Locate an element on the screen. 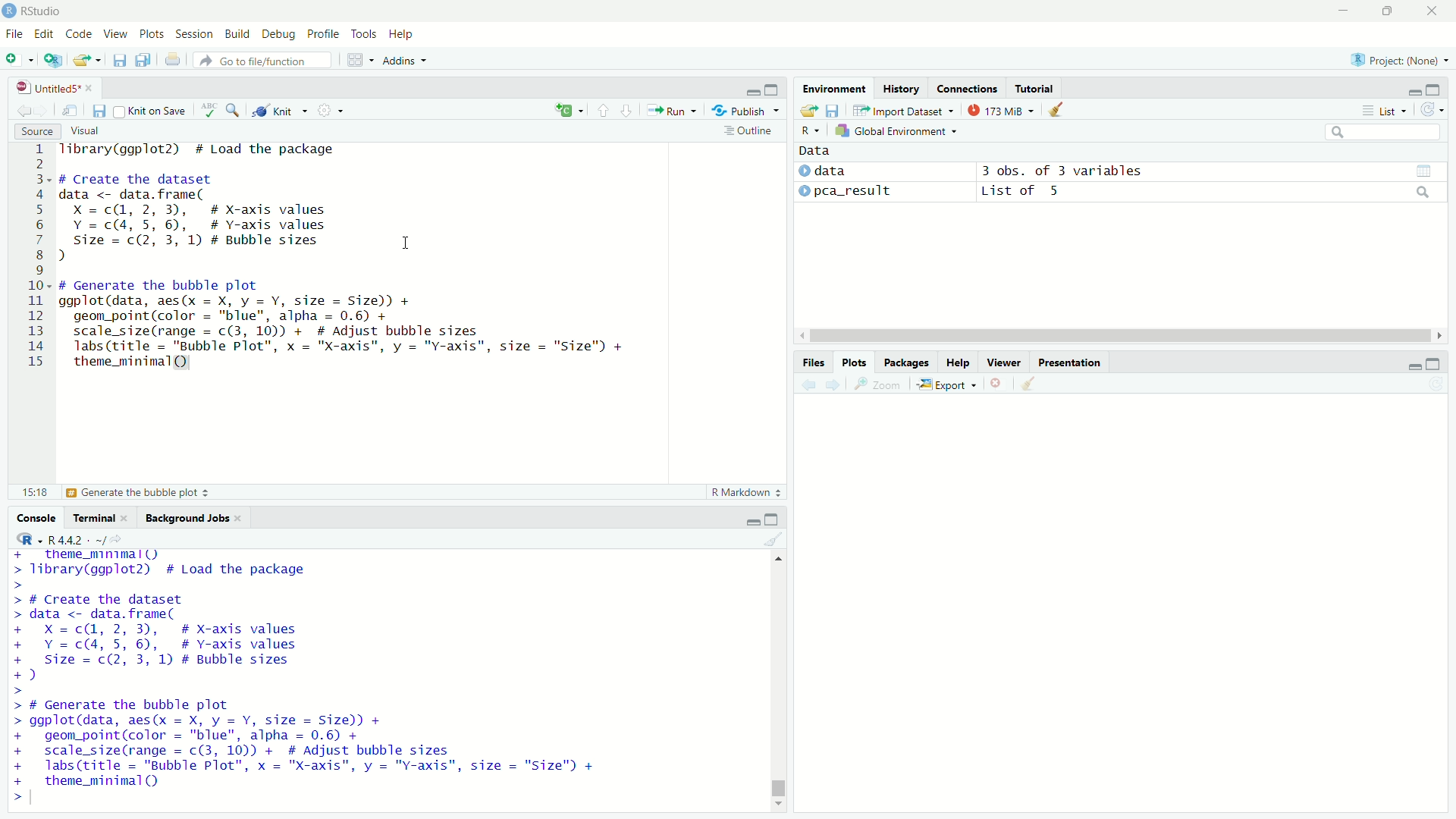 The height and width of the screenshot is (819, 1456). search is located at coordinates (1385, 132).